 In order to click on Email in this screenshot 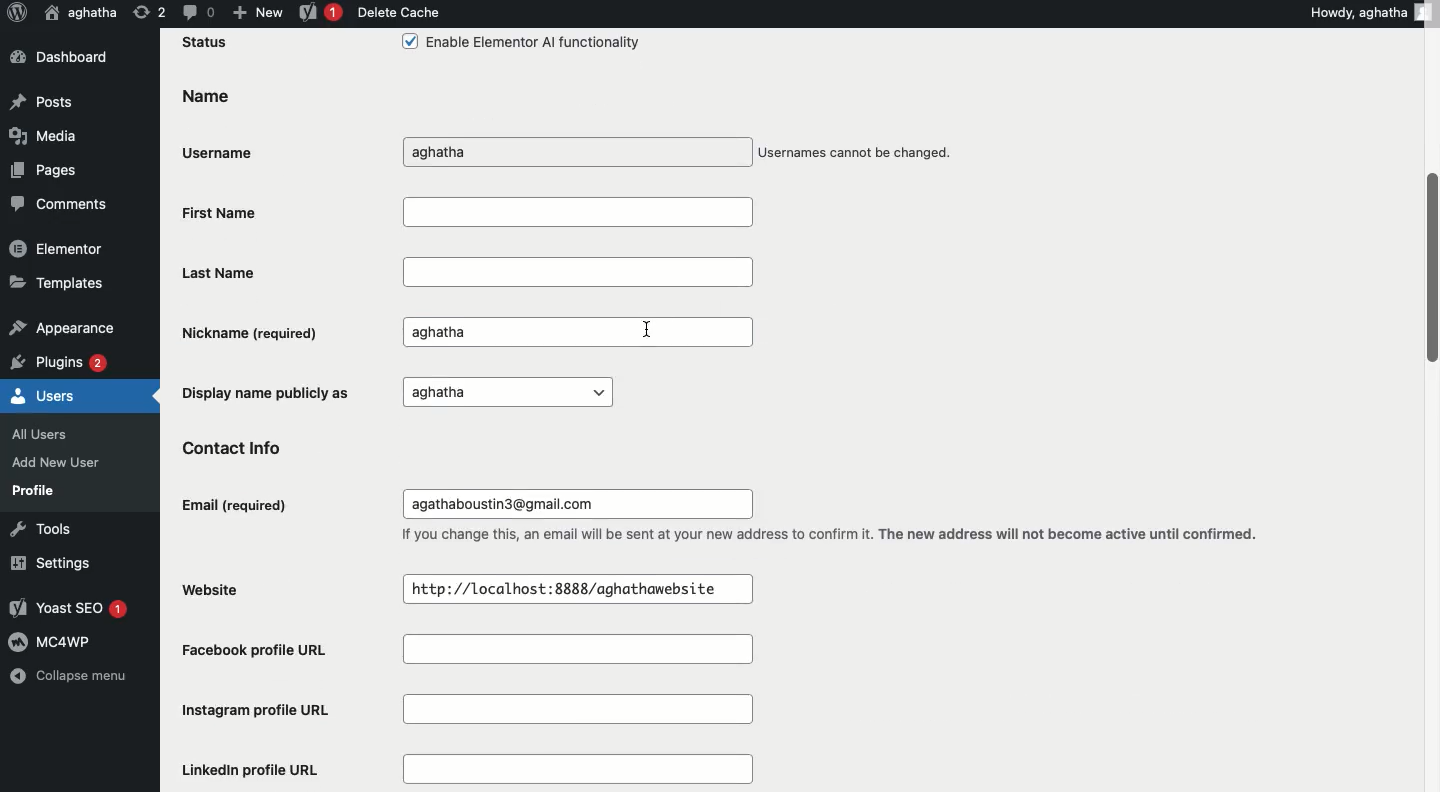, I will do `click(716, 518)`.